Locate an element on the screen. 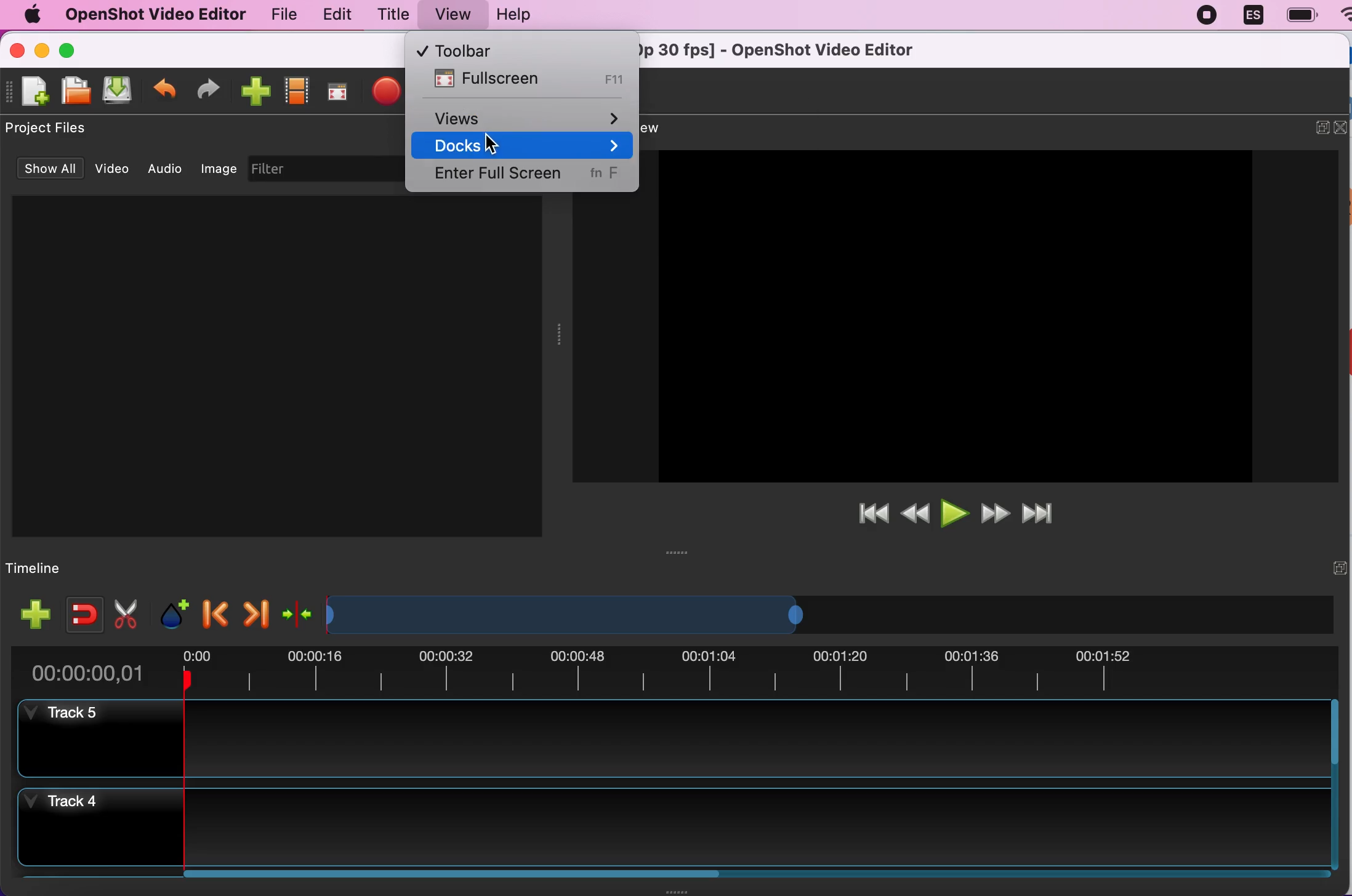 Image resolution: width=1352 pixels, height=896 pixels. timeline is located at coordinates (40, 569).